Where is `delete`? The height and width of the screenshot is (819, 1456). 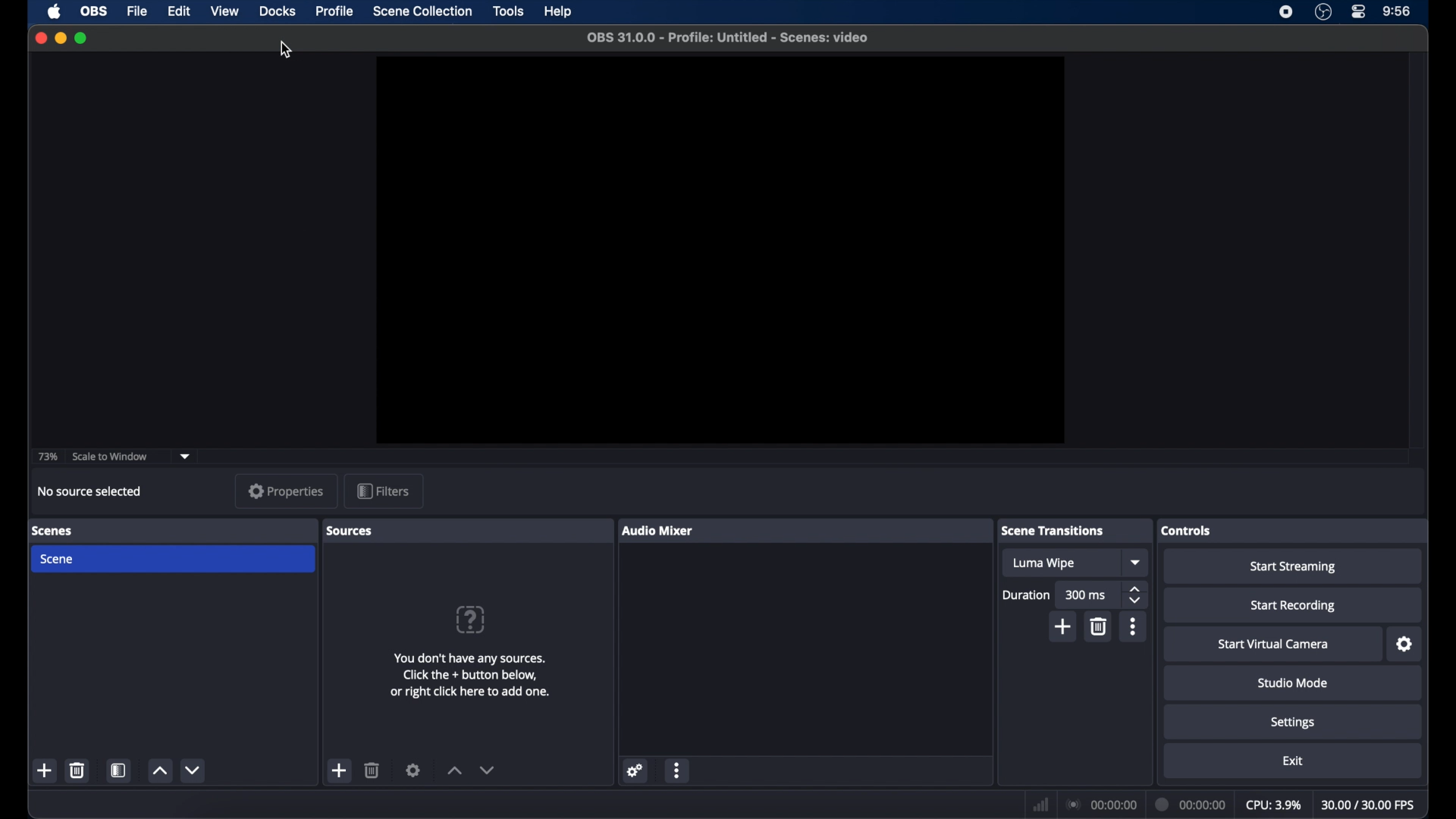 delete is located at coordinates (1097, 626).